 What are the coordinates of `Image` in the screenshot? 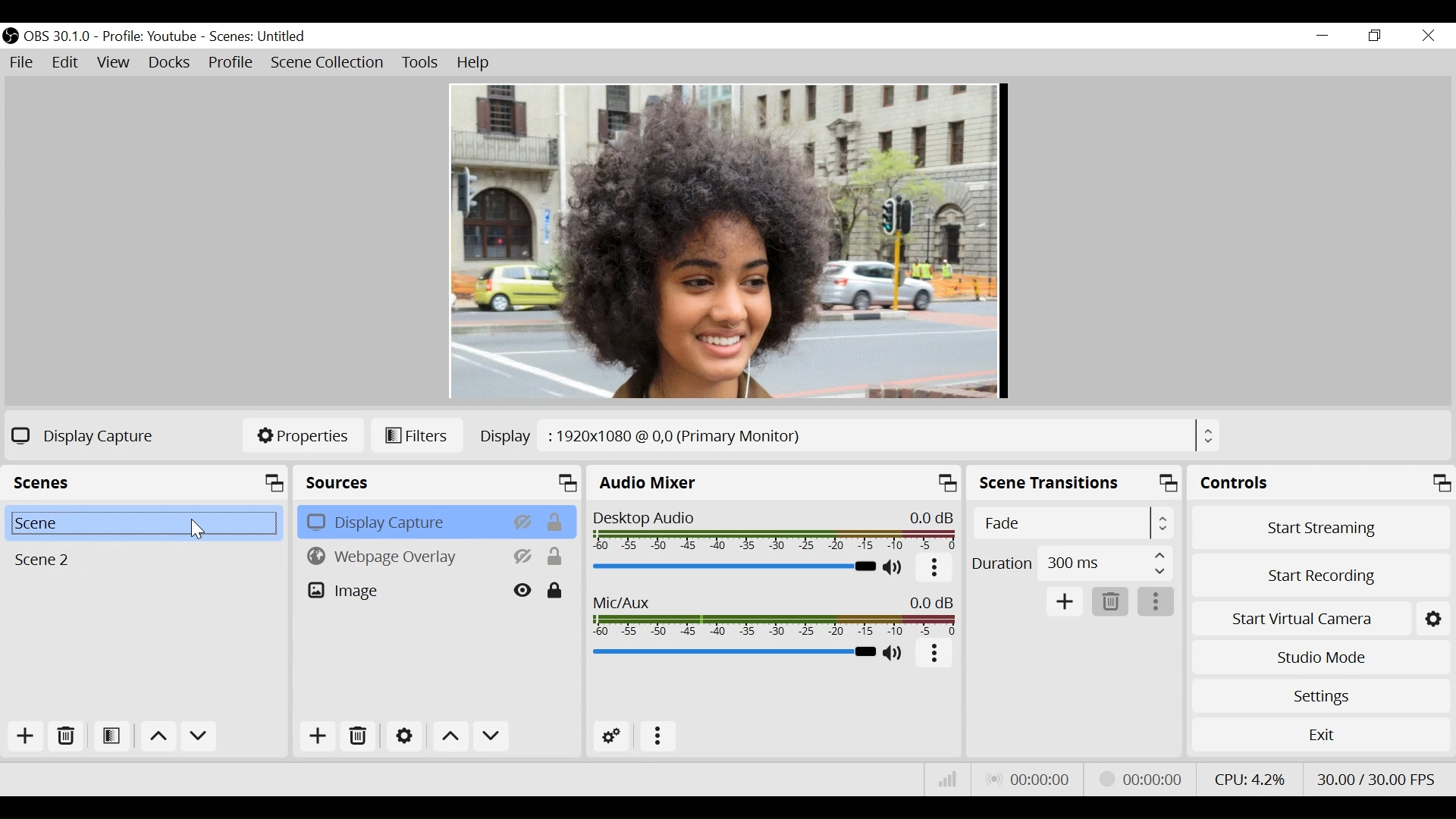 It's located at (403, 589).